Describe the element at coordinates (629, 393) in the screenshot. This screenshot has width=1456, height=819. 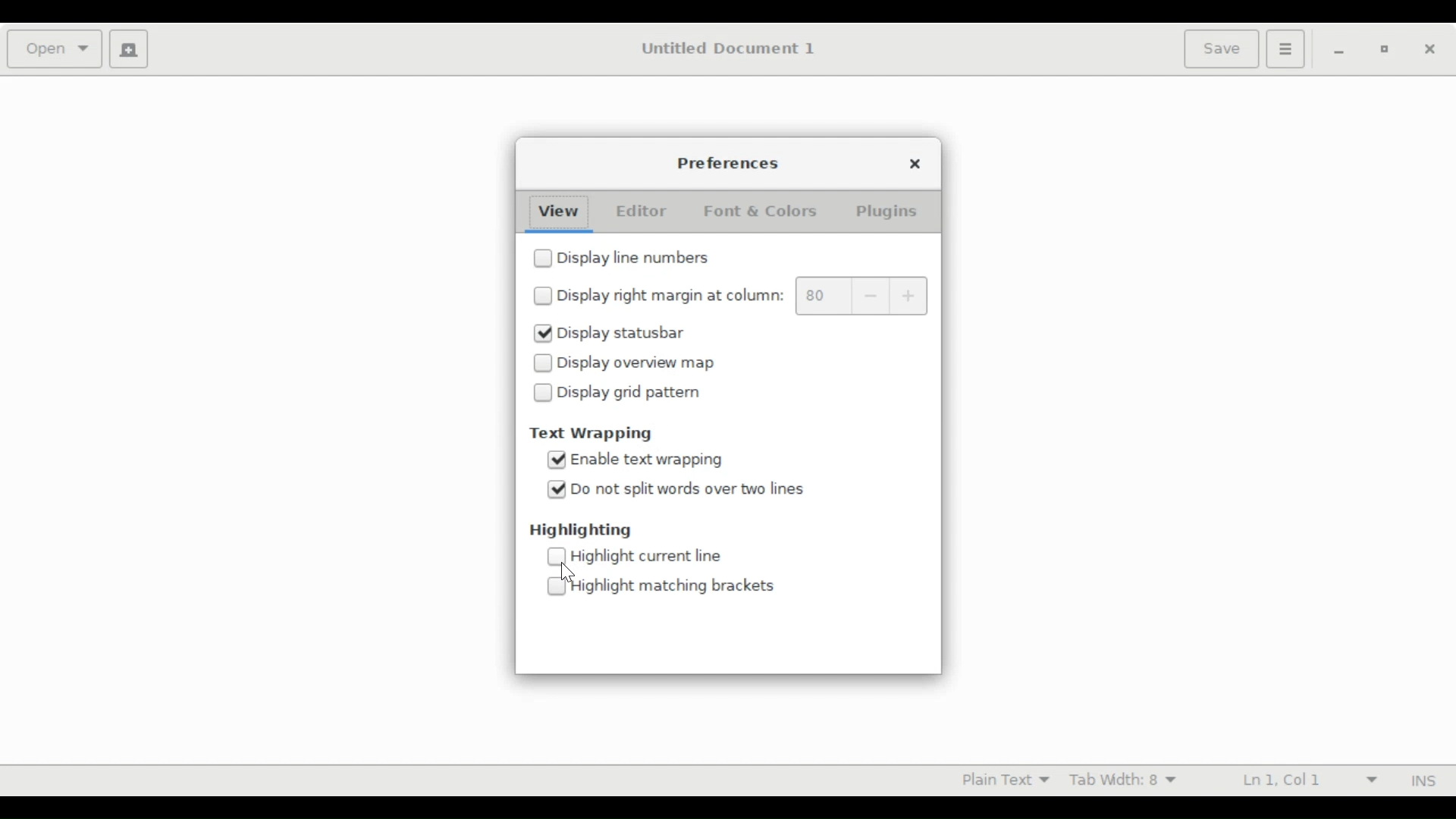
I see `Display grid pattern` at that location.